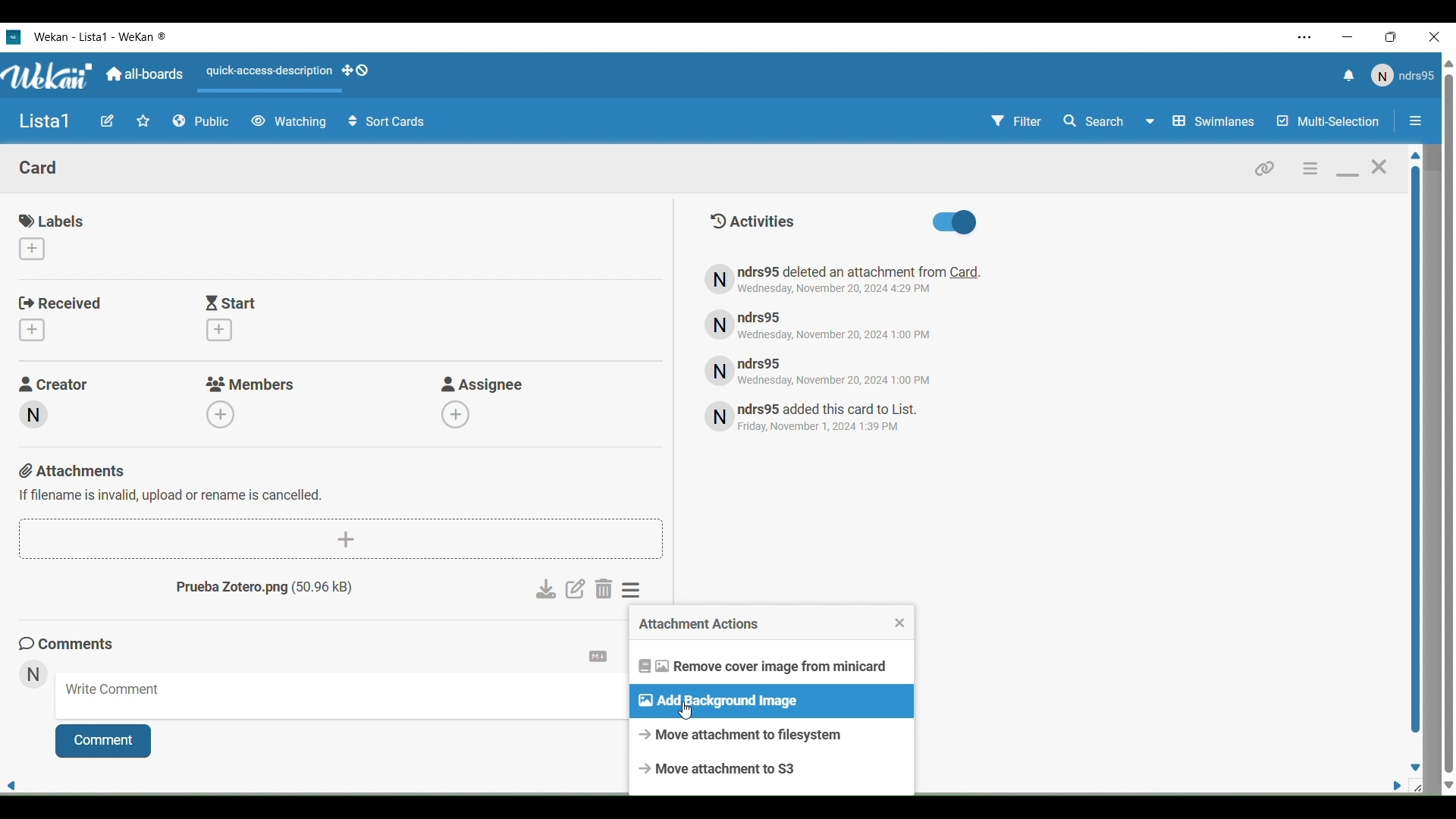 The image size is (1456, 819). Describe the element at coordinates (1380, 166) in the screenshot. I see `Close` at that location.